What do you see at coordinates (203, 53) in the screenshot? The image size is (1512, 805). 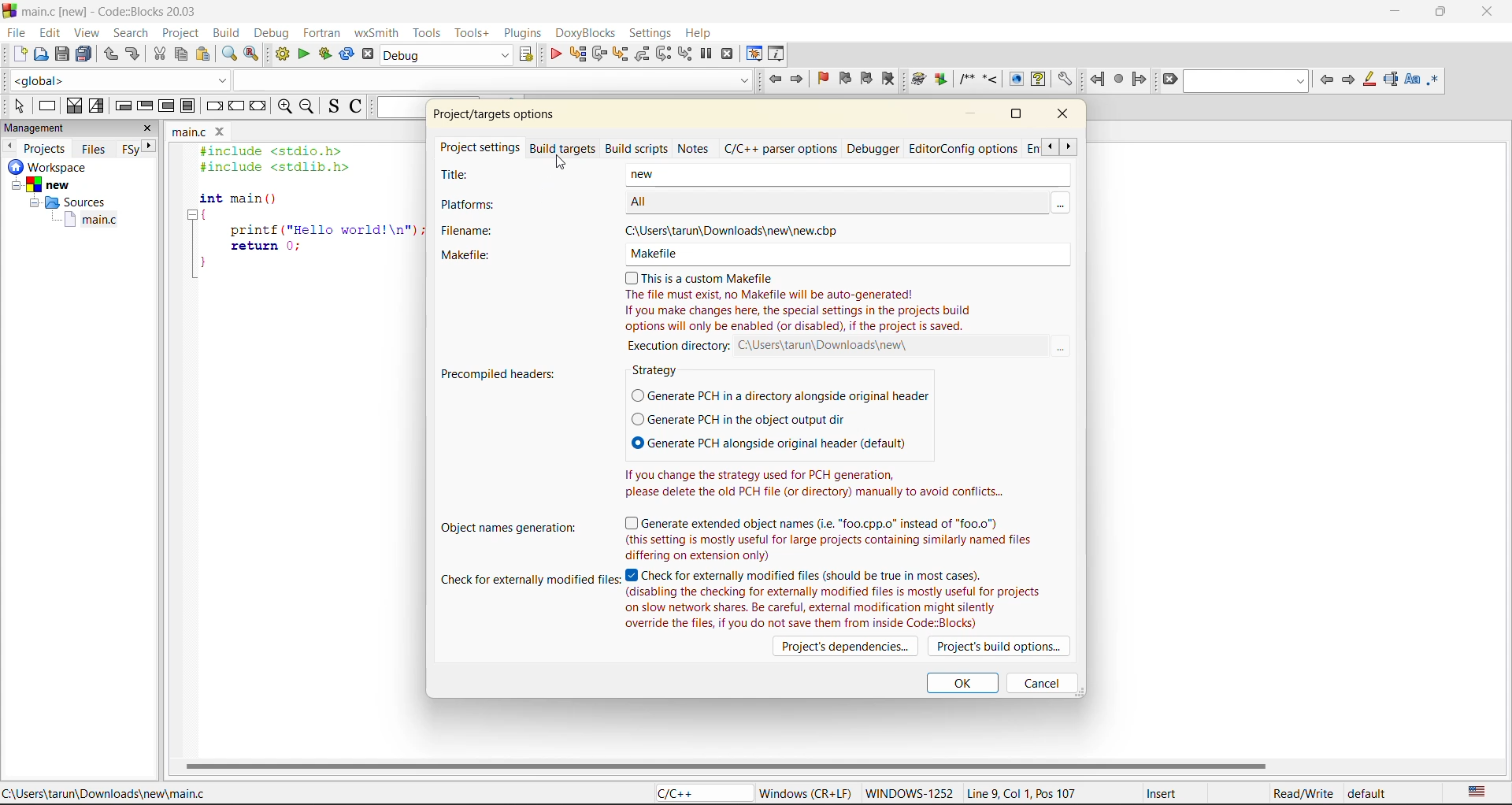 I see `paste` at bounding box center [203, 53].